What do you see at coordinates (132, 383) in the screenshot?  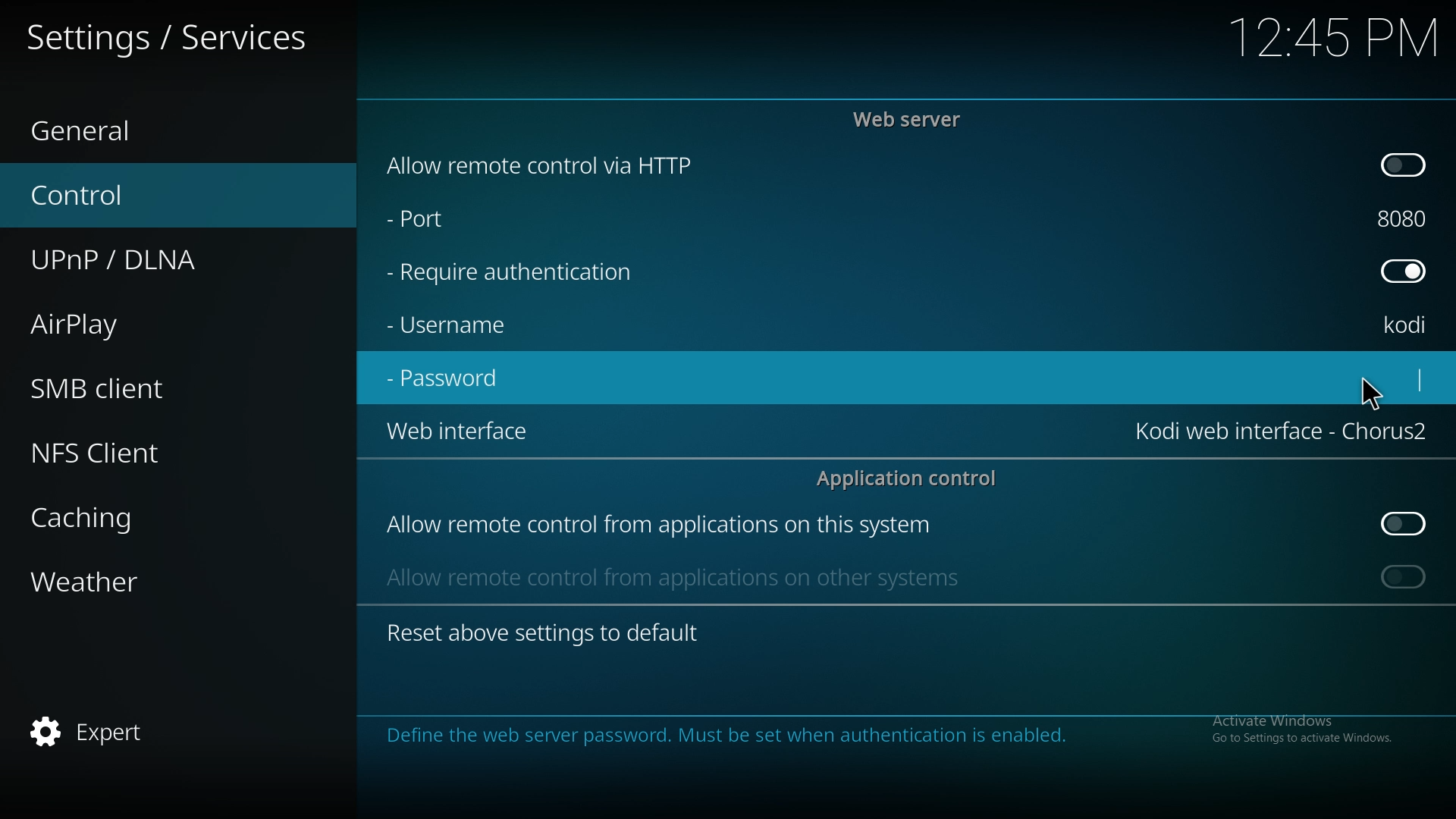 I see `smb client` at bounding box center [132, 383].